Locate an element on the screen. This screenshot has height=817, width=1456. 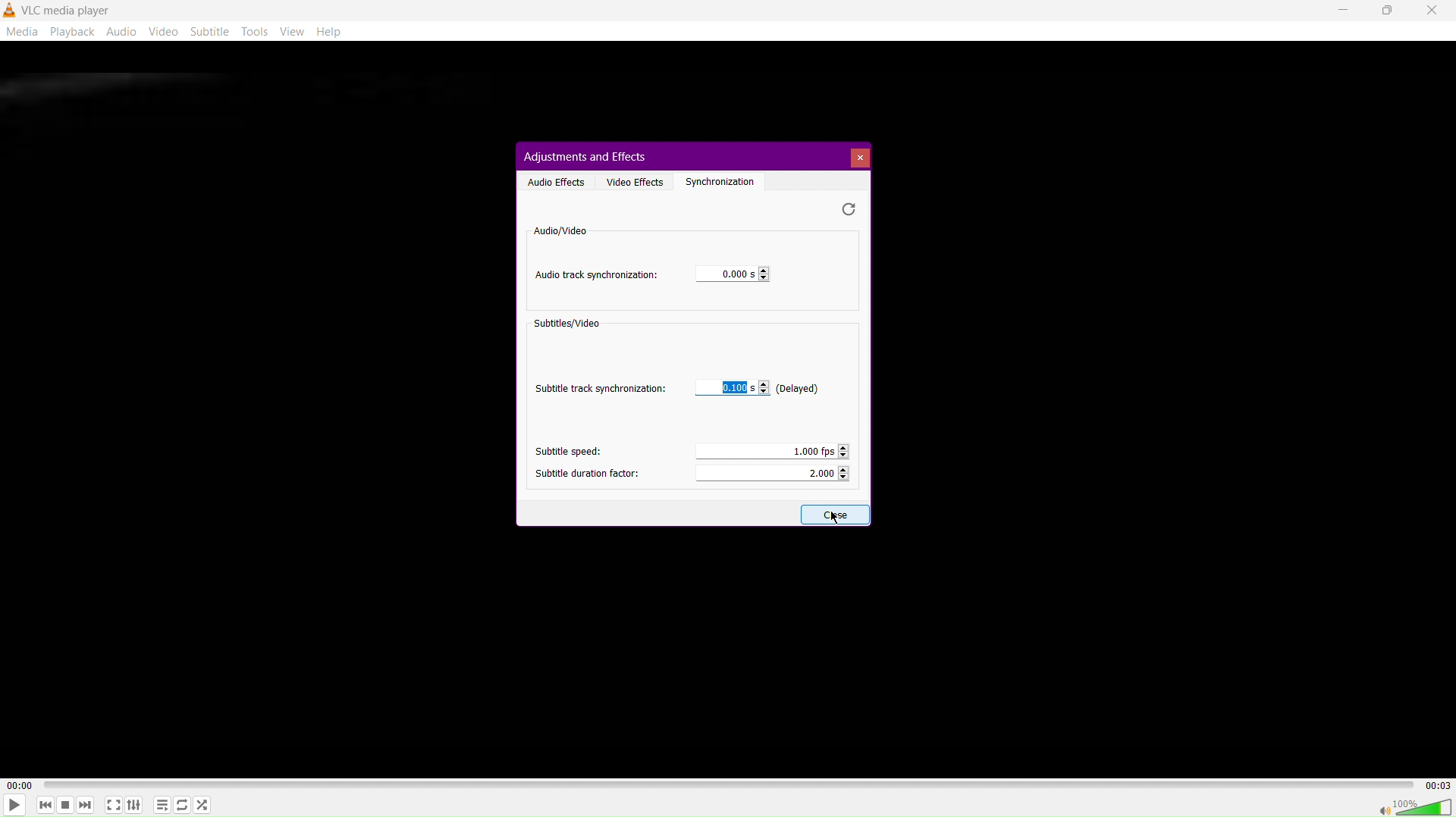
Audio Track synchronization is located at coordinates (597, 276).